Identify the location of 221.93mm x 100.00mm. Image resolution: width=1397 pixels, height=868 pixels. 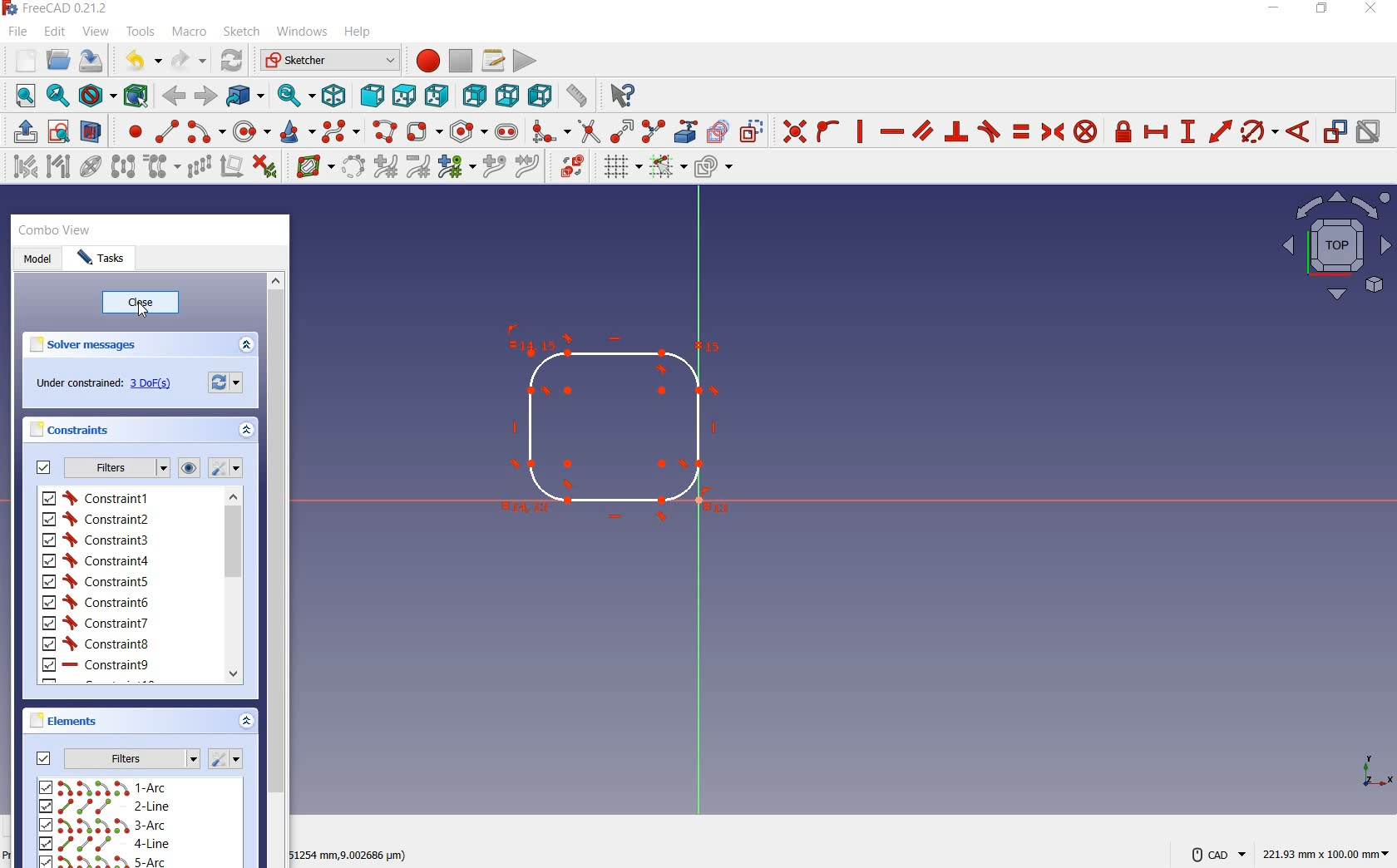
(1326, 852).